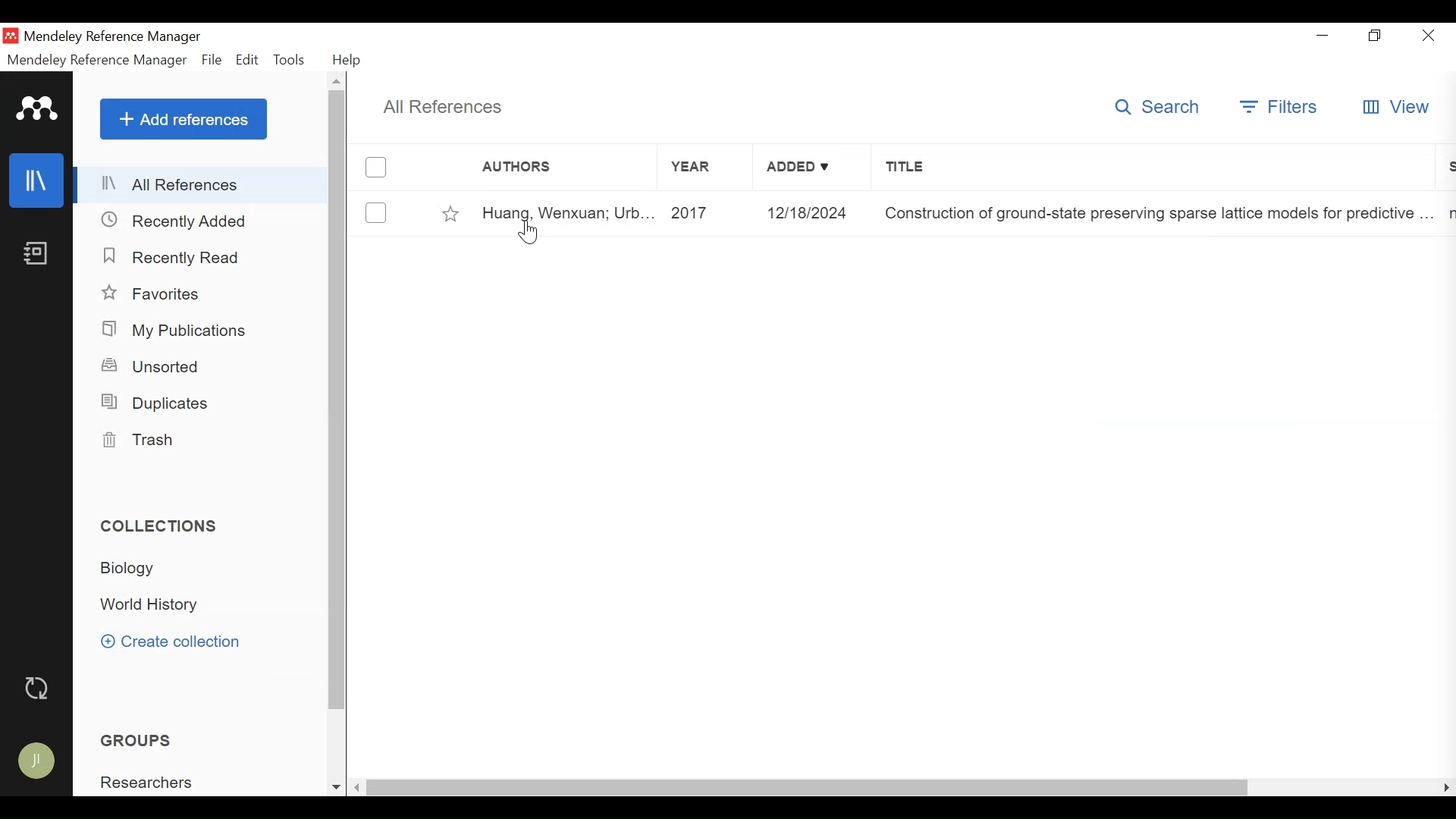 The height and width of the screenshot is (819, 1456). What do you see at coordinates (152, 442) in the screenshot?
I see `Trash` at bounding box center [152, 442].